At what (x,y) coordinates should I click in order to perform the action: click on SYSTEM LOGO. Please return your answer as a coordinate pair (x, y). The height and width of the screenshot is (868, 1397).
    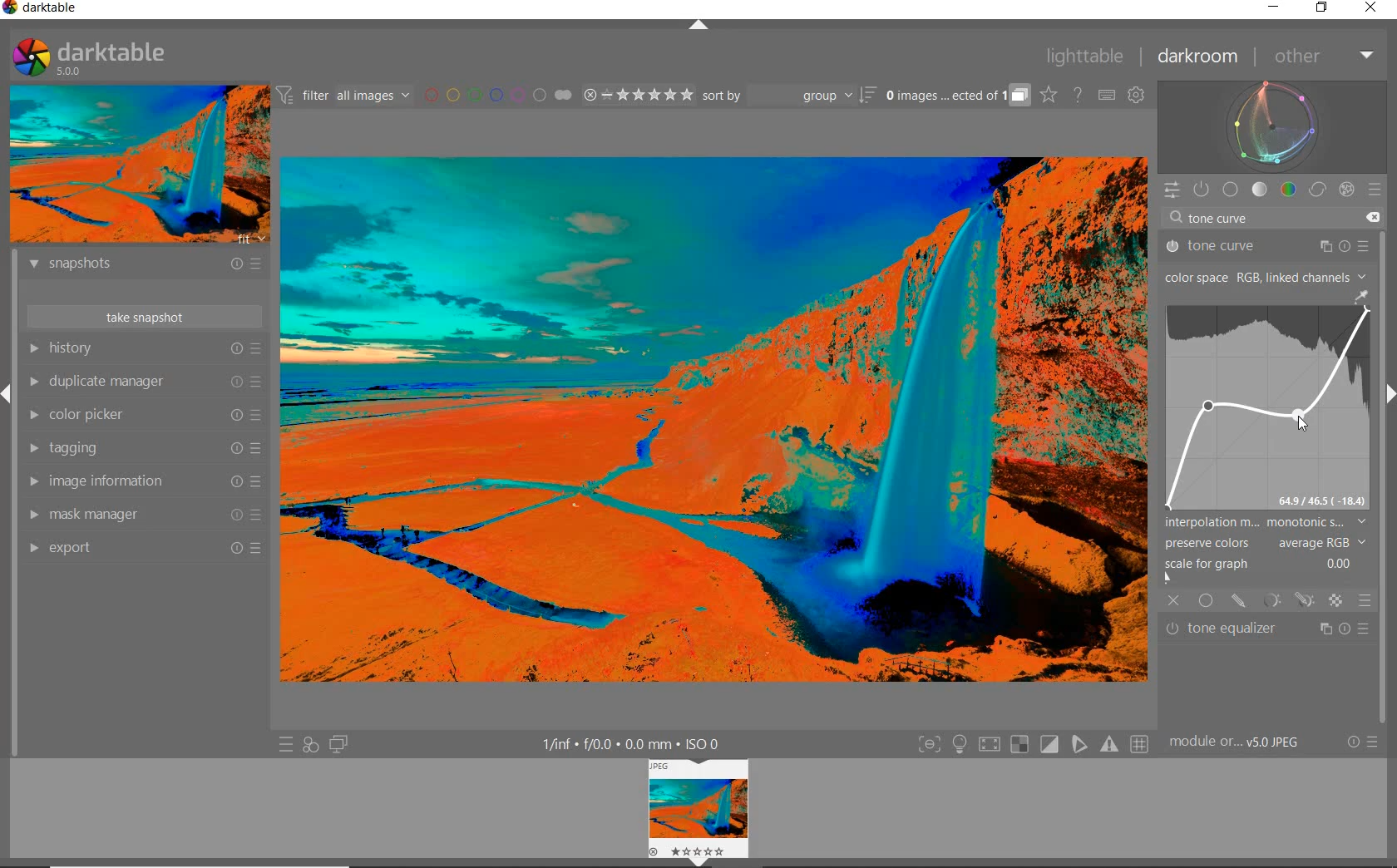
    Looking at the image, I should click on (90, 57).